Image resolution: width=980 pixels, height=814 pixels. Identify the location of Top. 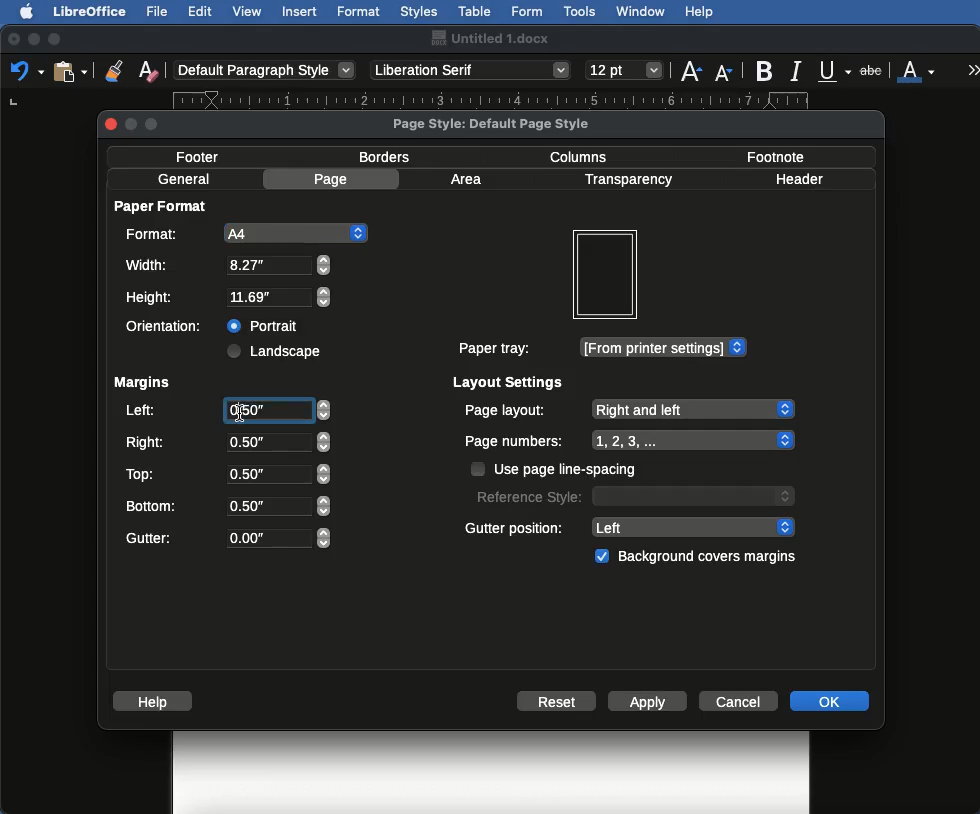
(225, 474).